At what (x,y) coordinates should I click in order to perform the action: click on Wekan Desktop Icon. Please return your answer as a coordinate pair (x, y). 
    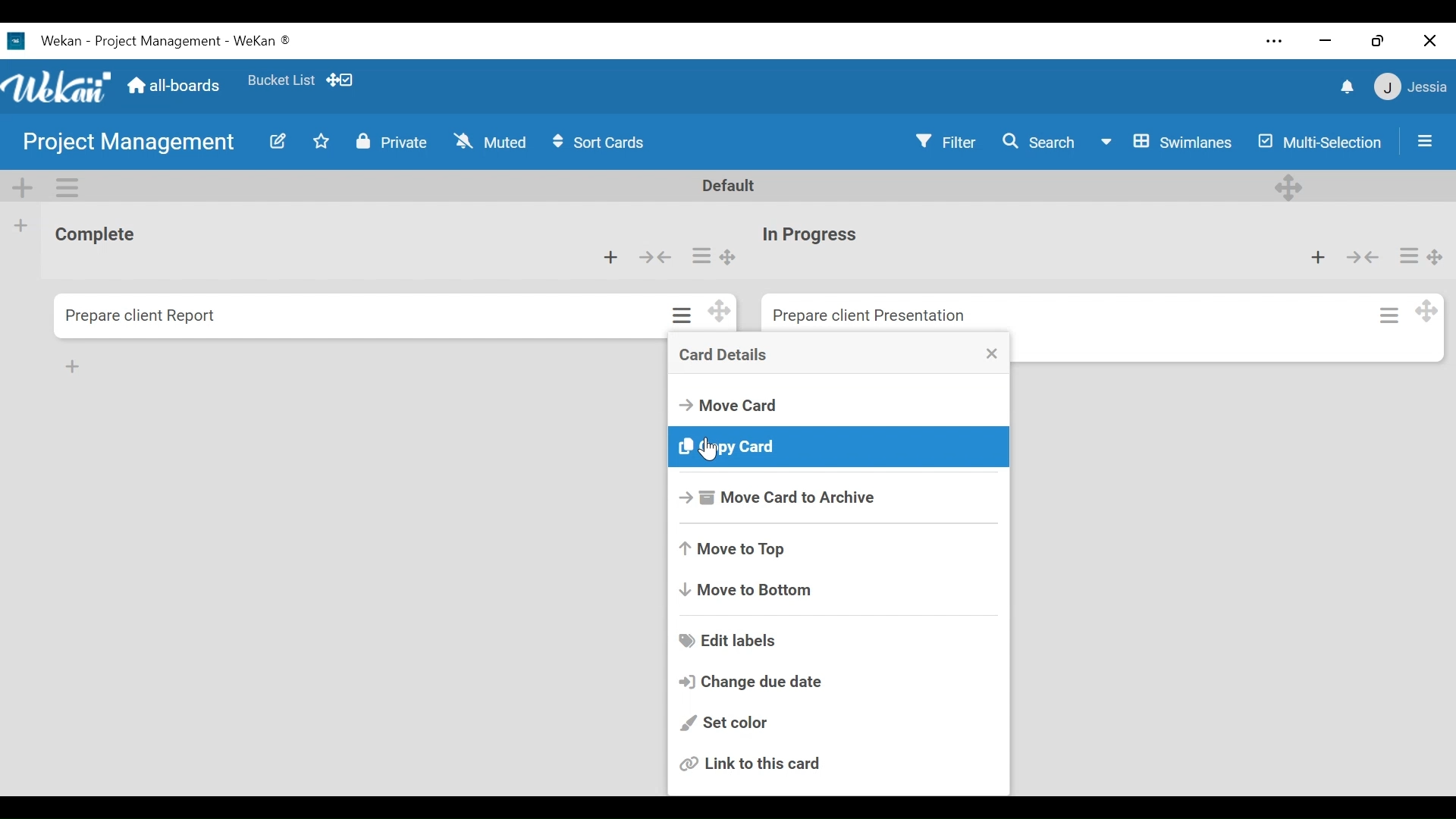
    Looking at the image, I should click on (162, 39).